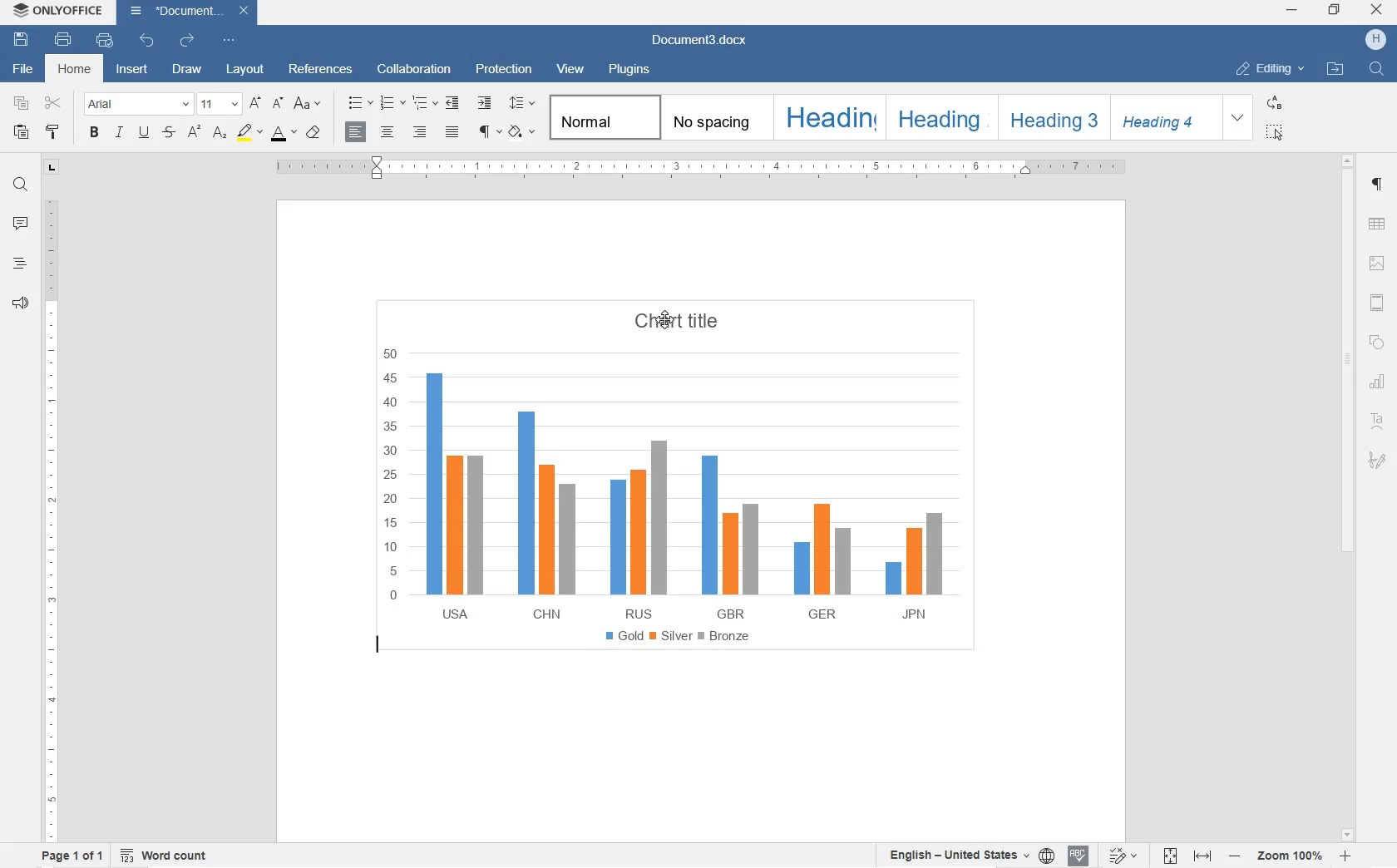 This screenshot has width=1397, height=868. Describe the element at coordinates (360, 104) in the screenshot. I see `BULLET` at that location.